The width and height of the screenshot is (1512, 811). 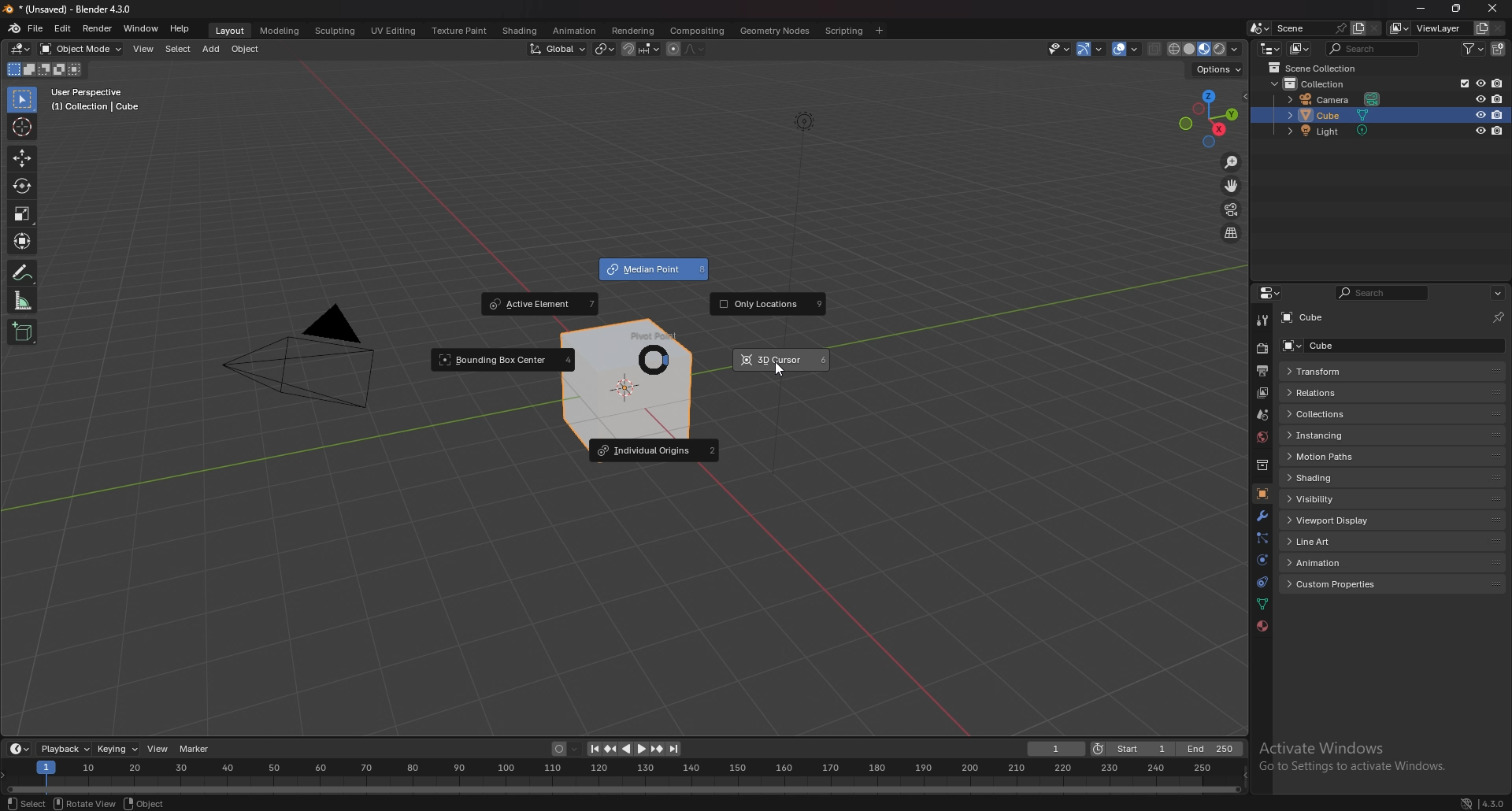 I want to click on transform, so click(x=1368, y=372).